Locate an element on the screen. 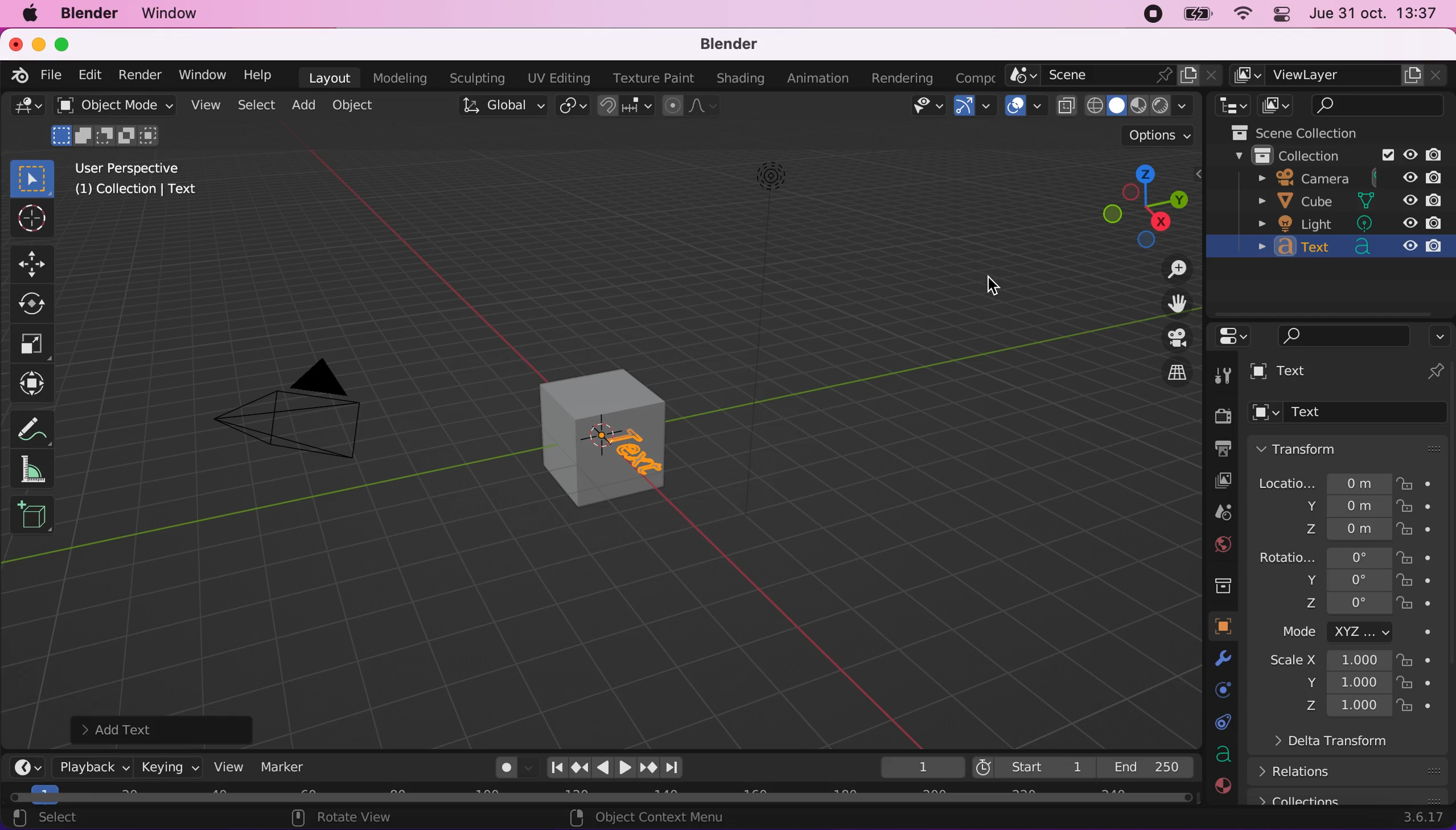  data is located at coordinates (1223, 628).